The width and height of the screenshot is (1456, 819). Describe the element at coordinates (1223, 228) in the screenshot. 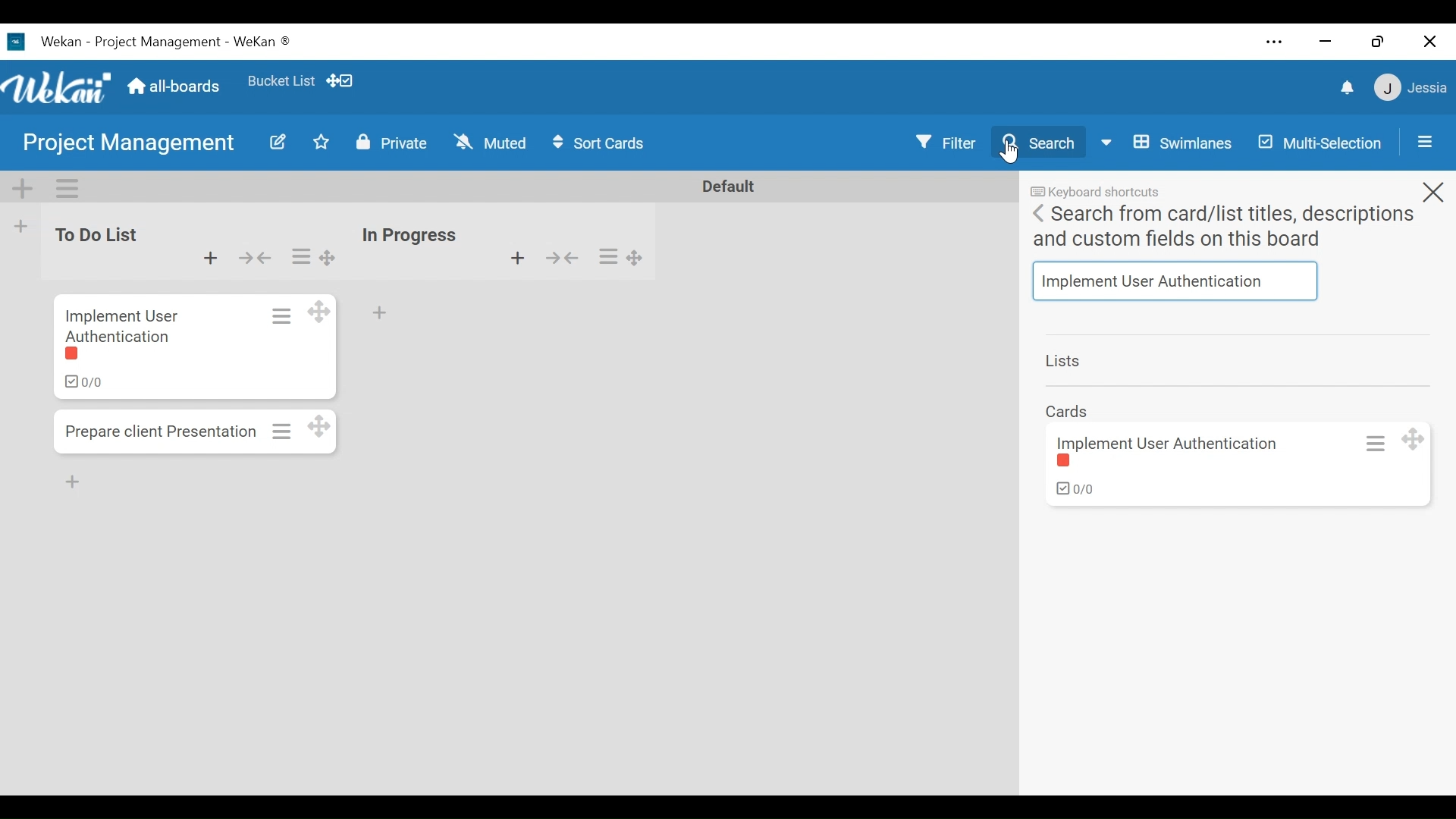

I see `Search from card/list titles, description and custom fields on this board` at that location.